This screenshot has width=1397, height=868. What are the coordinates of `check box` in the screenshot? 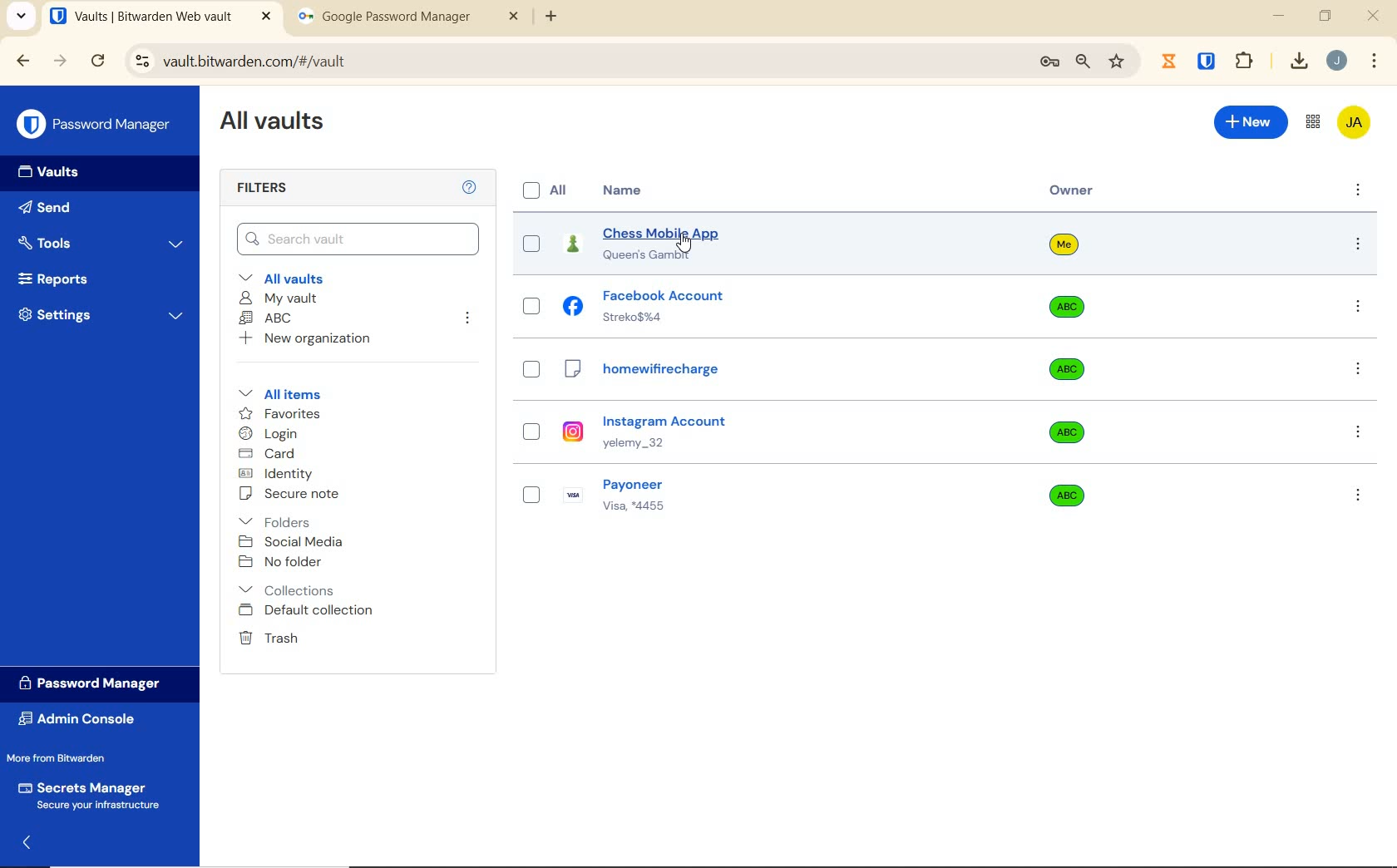 It's located at (531, 489).